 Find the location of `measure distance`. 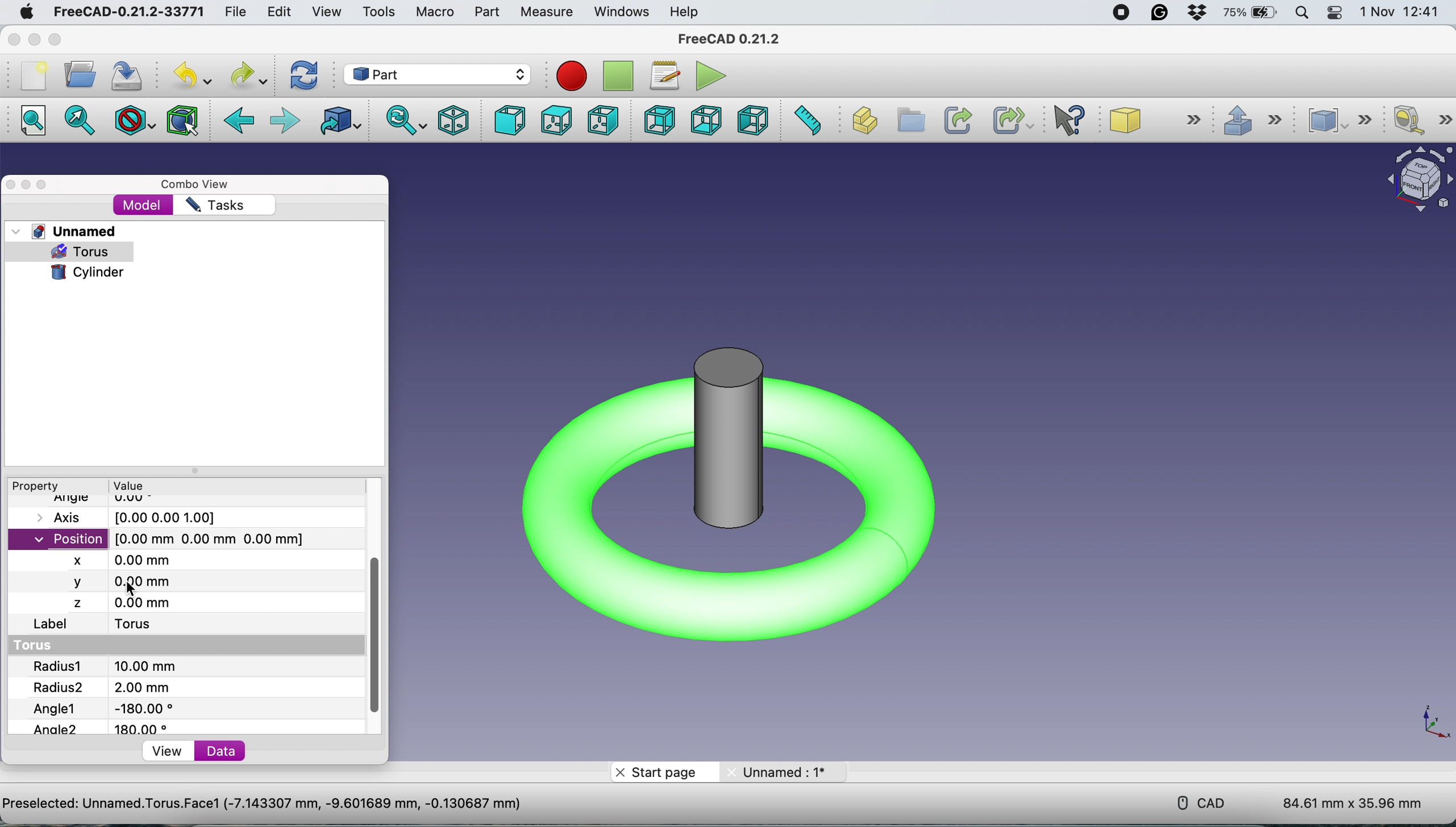

measure distance is located at coordinates (809, 120).